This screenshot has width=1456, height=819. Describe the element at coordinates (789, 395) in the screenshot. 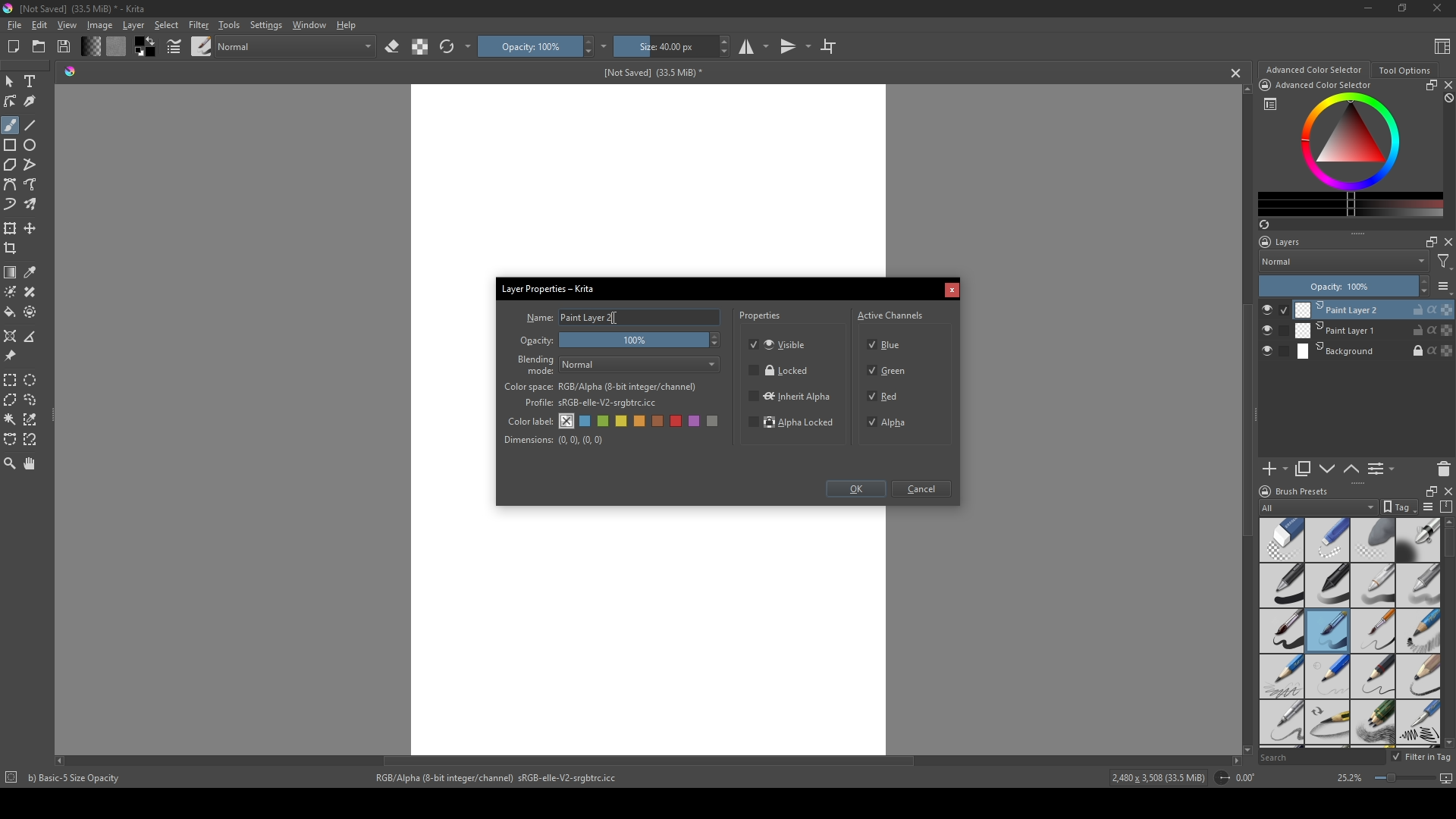

I see `Inherit alpha` at that location.